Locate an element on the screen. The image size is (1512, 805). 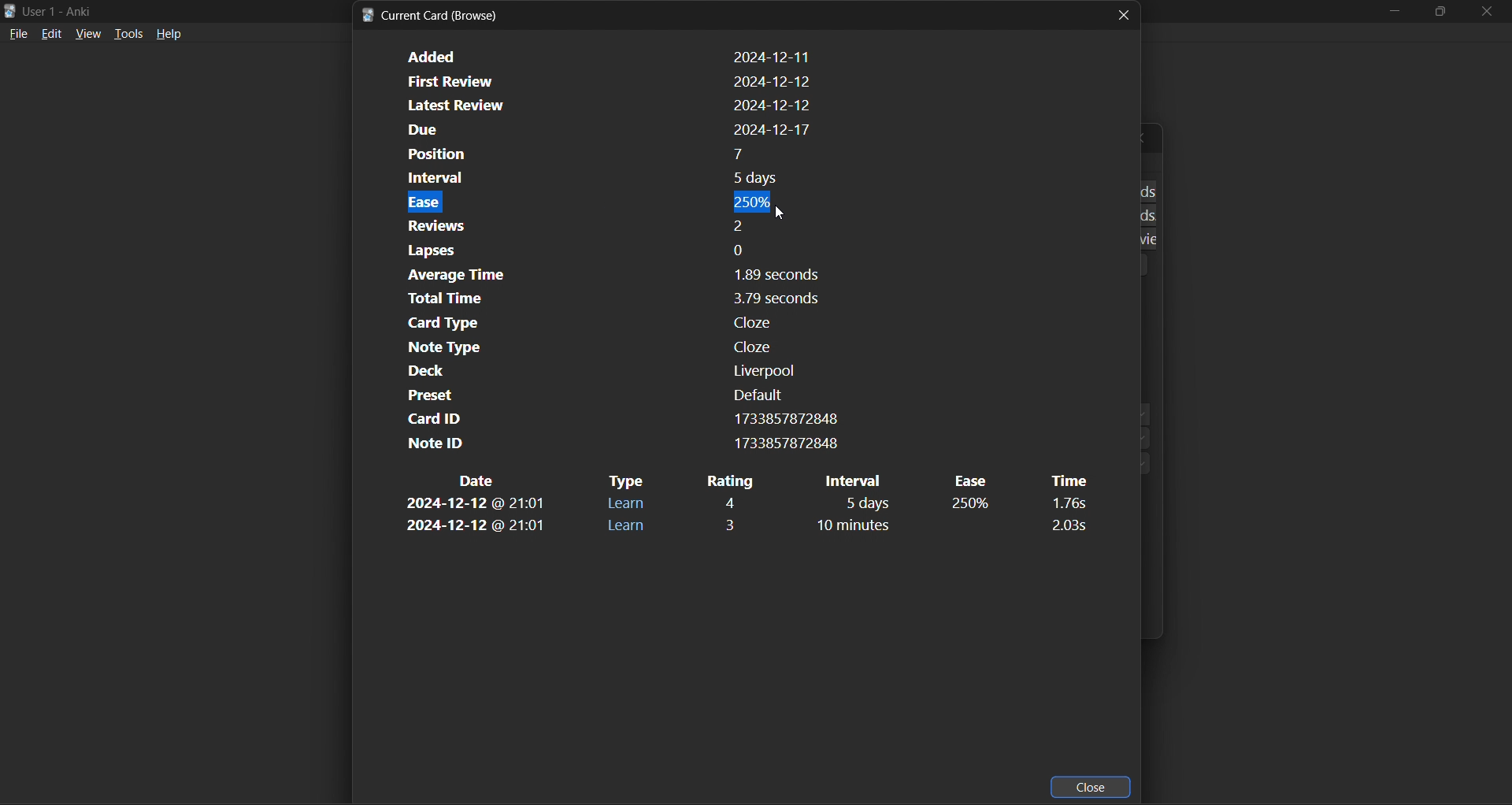
time is located at coordinates (1066, 503).